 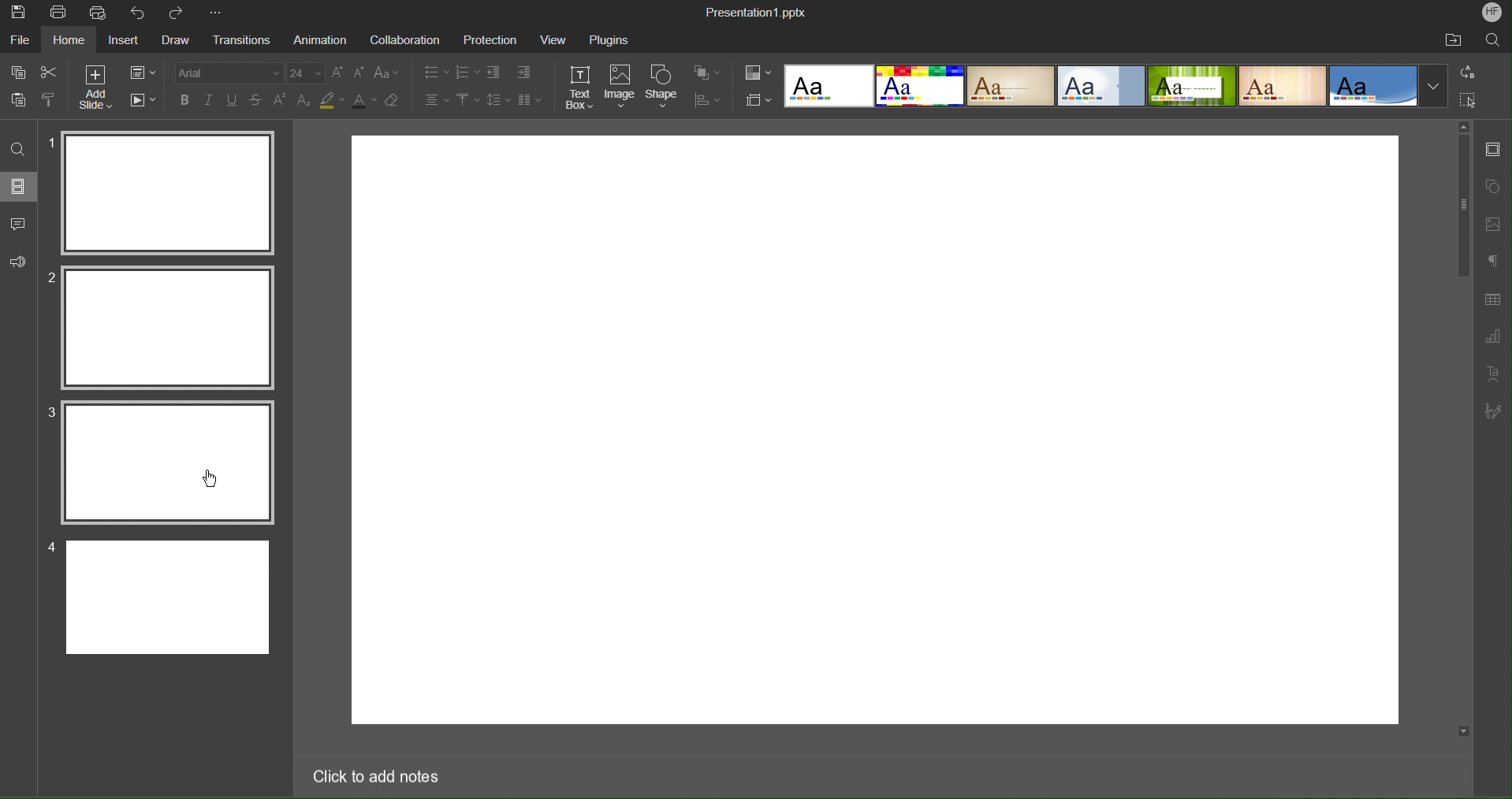 What do you see at coordinates (175, 41) in the screenshot?
I see `Draw` at bounding box center [175, 41].